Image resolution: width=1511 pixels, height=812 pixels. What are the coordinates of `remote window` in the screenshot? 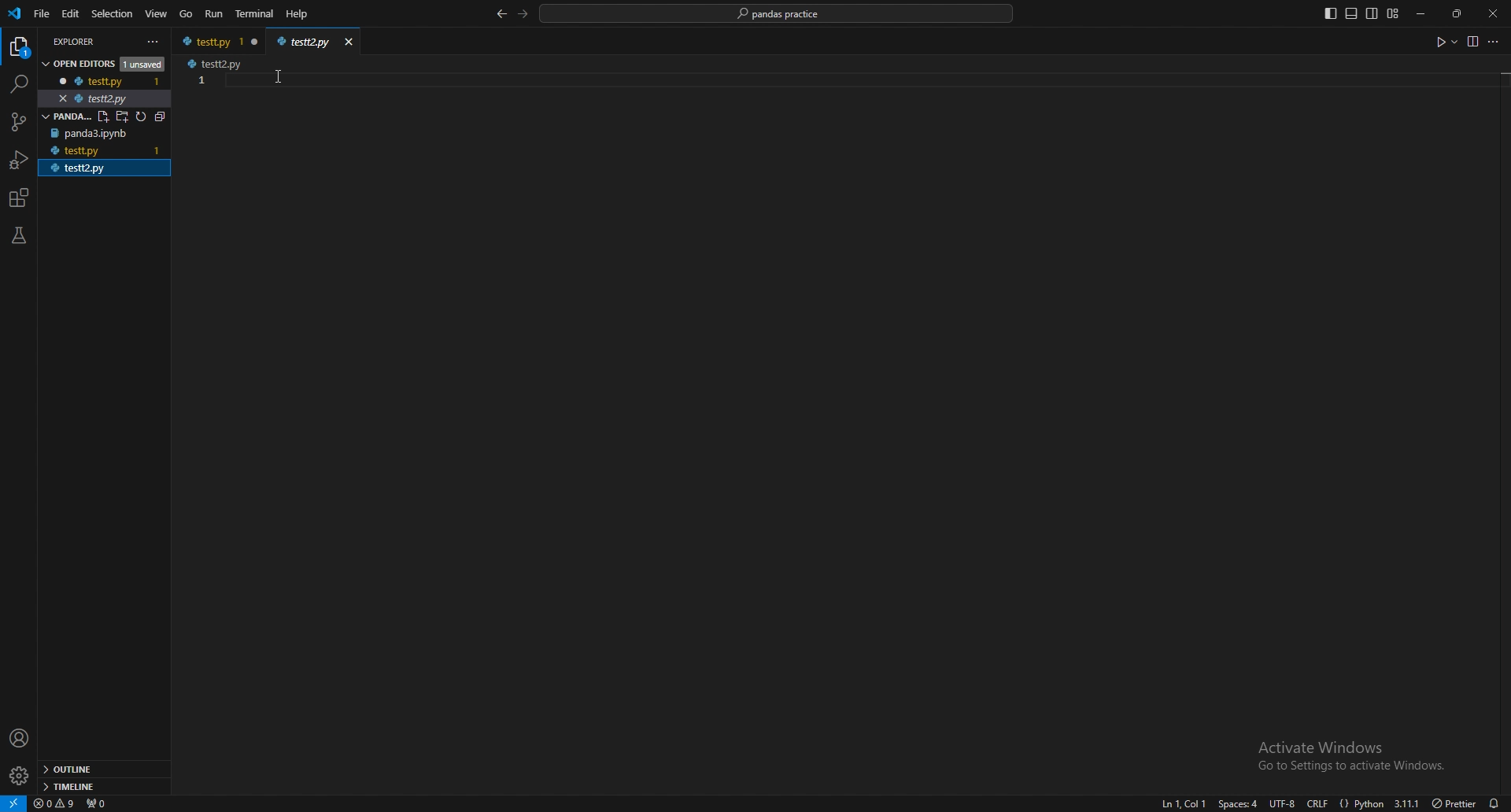 It's located at (13, 803).